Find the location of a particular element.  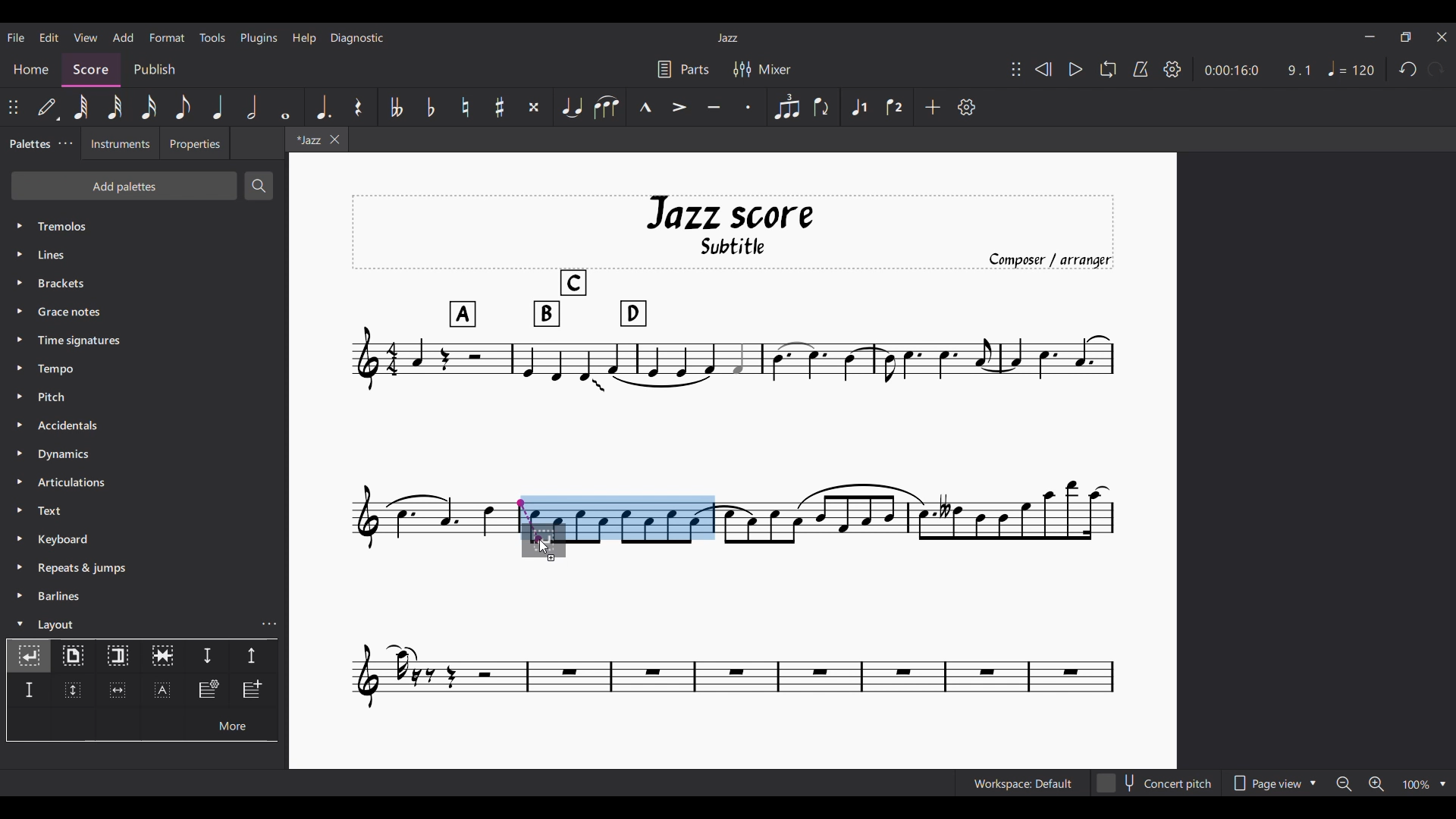

Zoom options is located at coordinates (1425, 784).